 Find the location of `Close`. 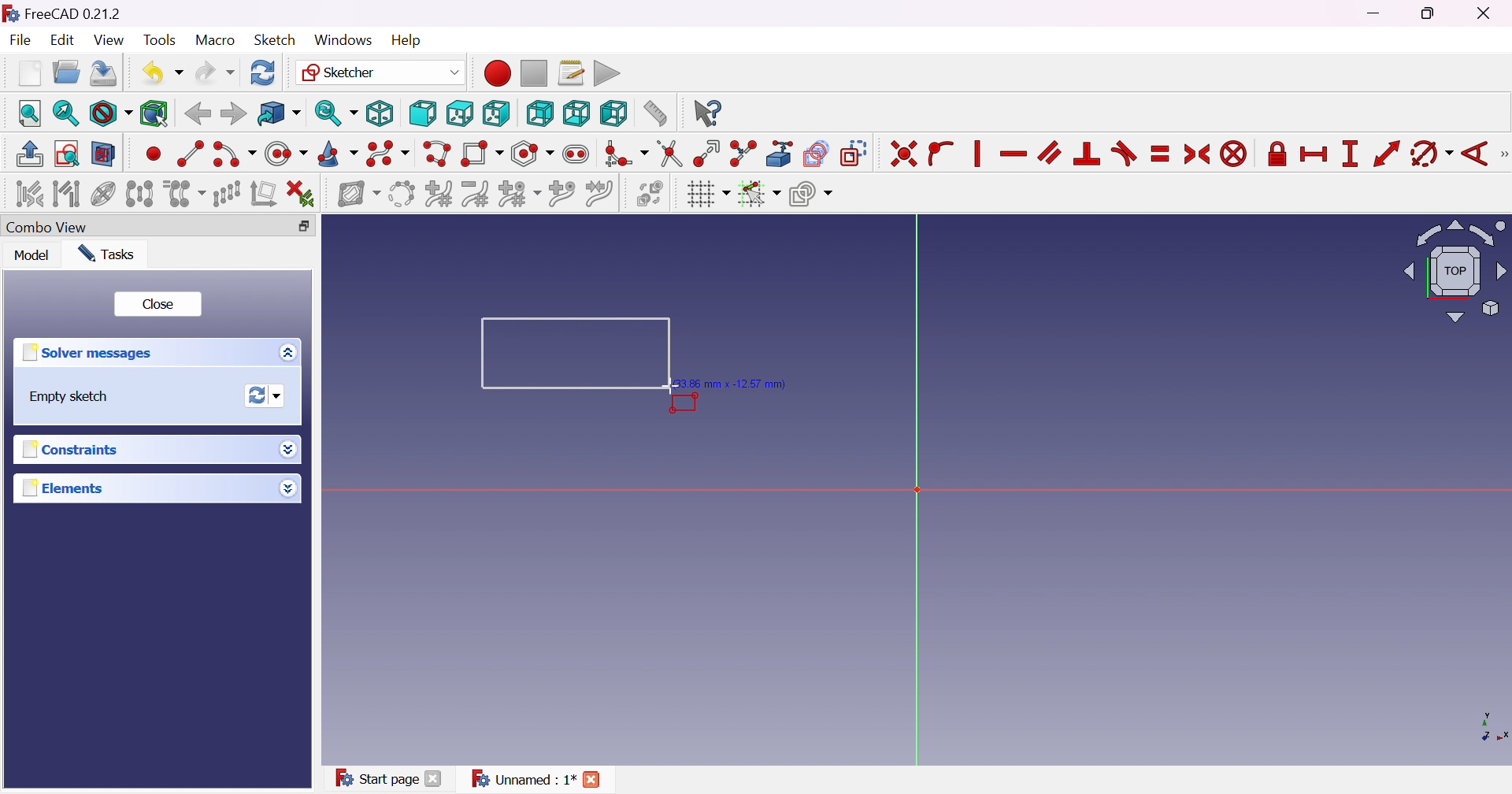

Close is located at coordinates (435, 780).